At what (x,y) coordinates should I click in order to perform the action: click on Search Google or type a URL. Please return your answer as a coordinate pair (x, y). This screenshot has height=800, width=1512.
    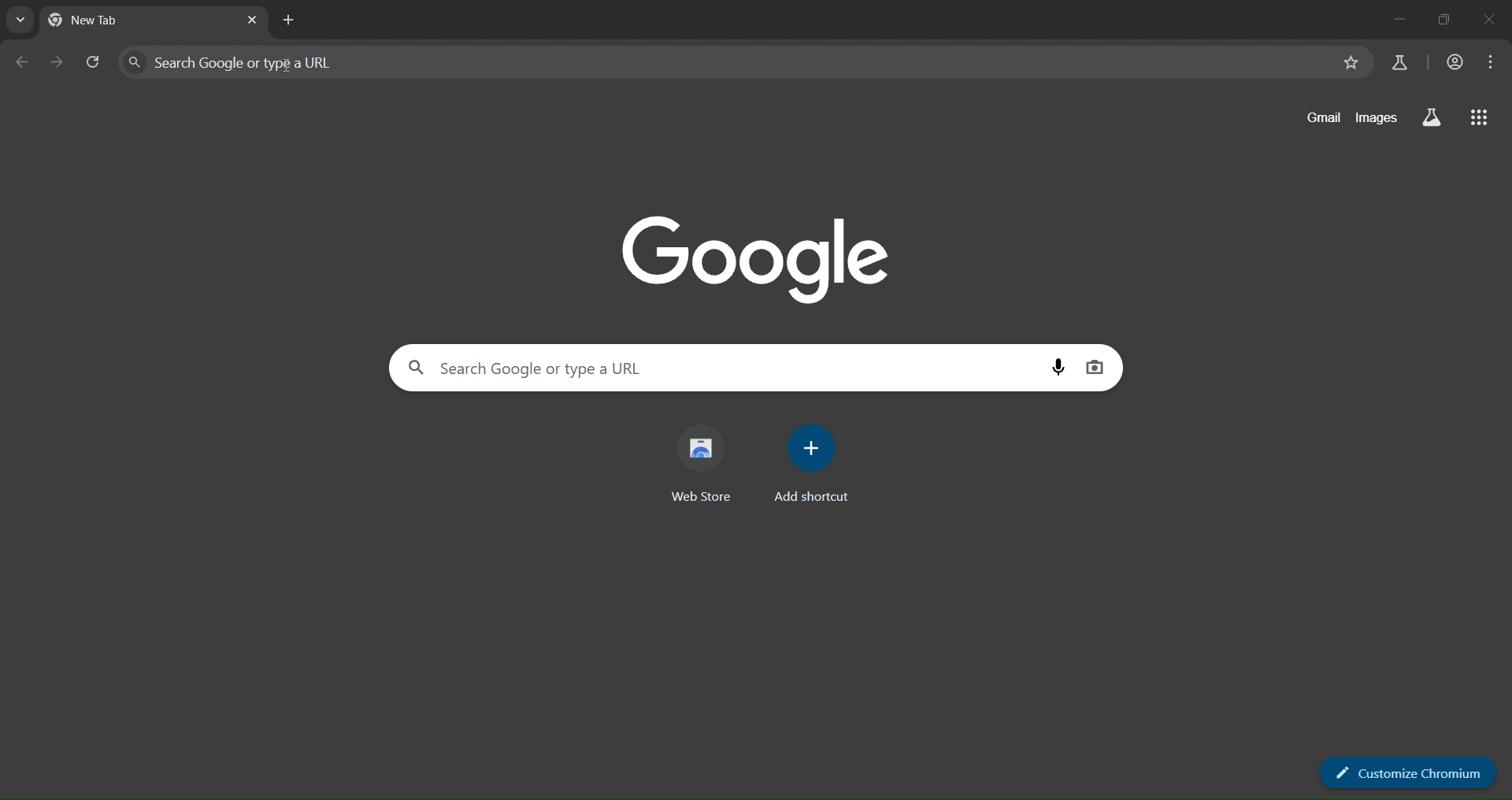
    Looking at the image, I should click on (719, 368).